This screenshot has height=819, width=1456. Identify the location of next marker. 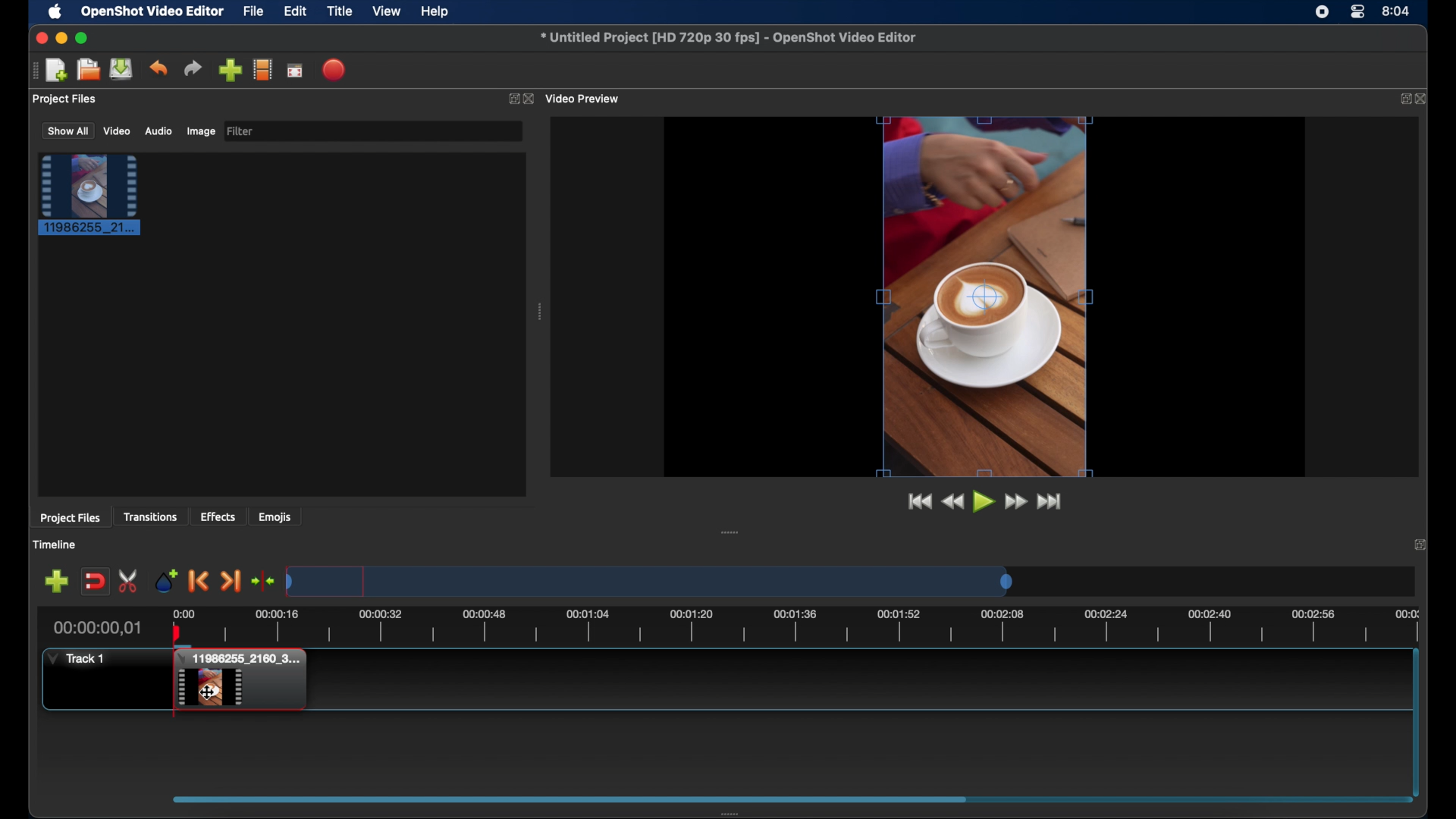
(231, 581).